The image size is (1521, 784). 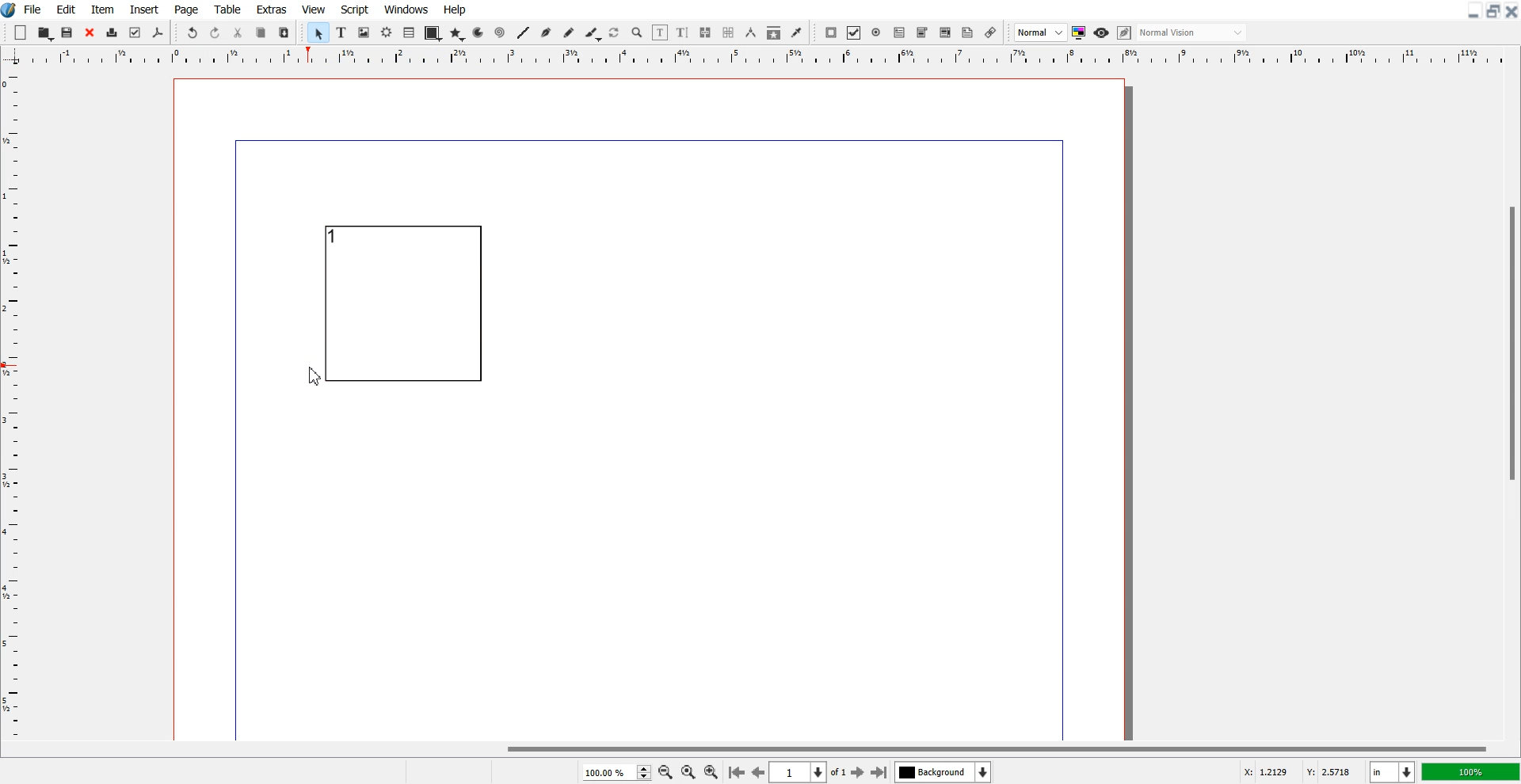 What do you see at coordinates (284, 32) in the screenshot?
I see `Paste` at bounding box center [284, 32].